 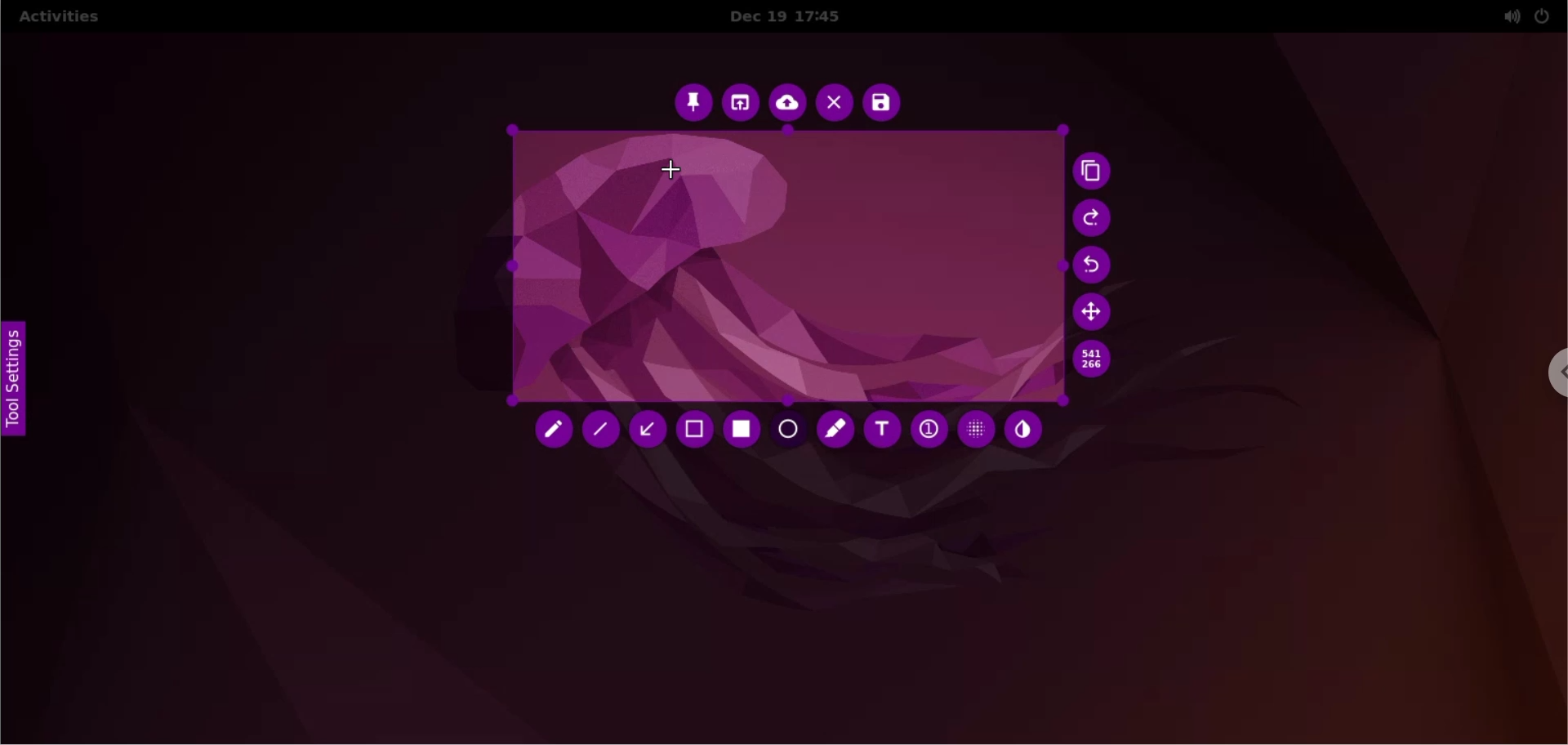 I want to click on cancel capture, so click(x=834, y=105).